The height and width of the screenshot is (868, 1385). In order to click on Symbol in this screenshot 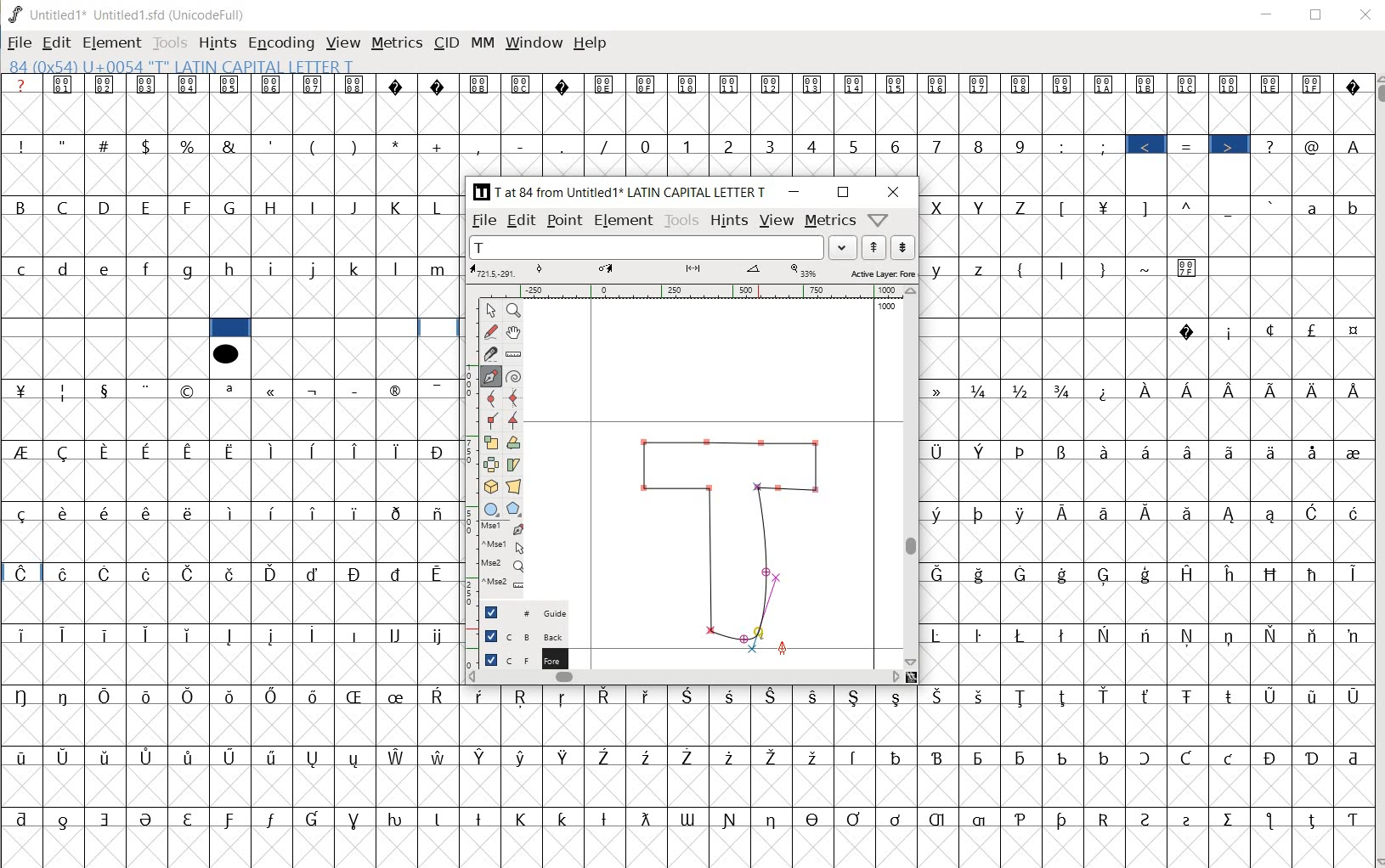, I will do `click(941, 696)`.